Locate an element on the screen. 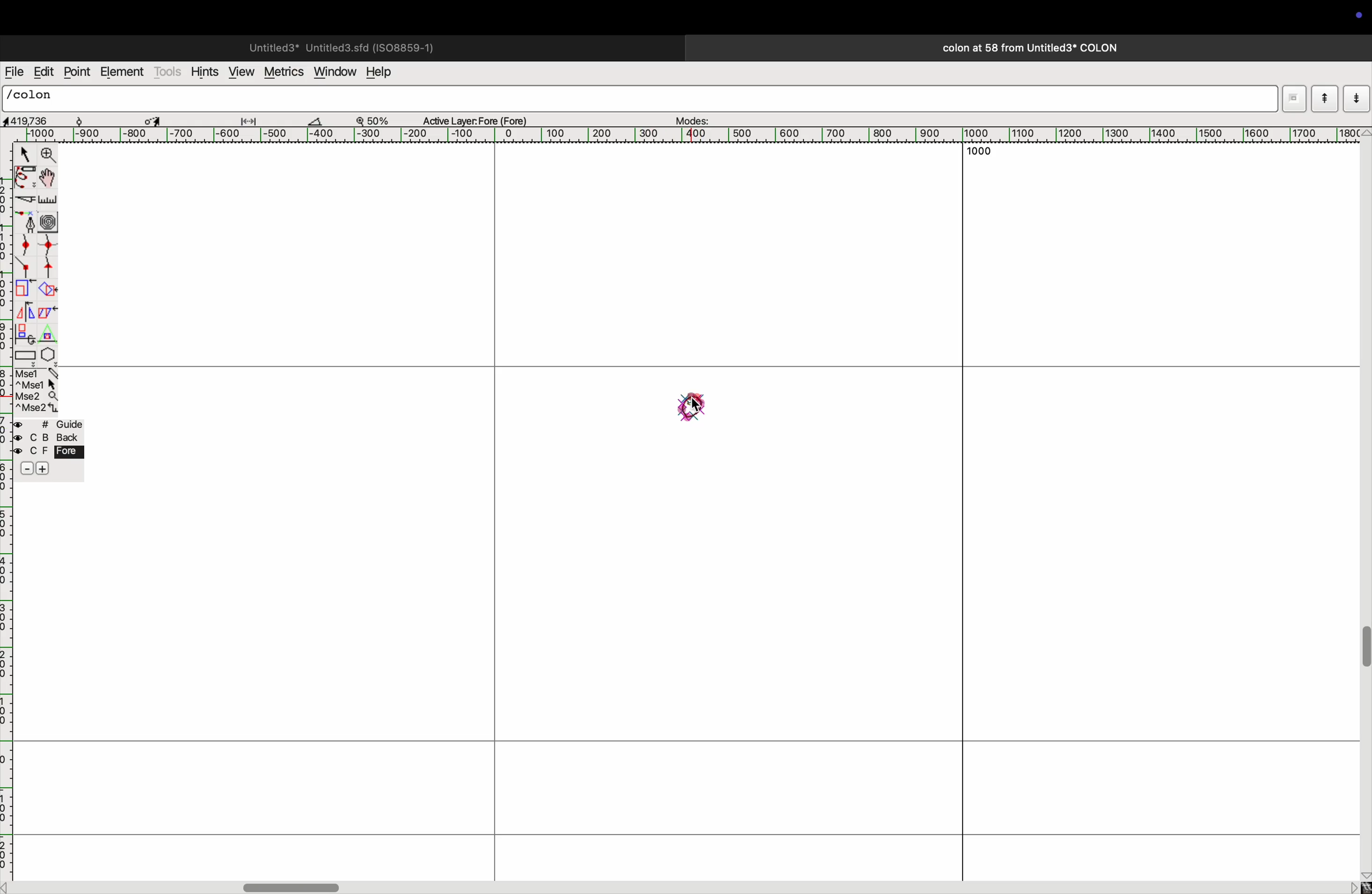  minimize is located at coordinates (24, 290).